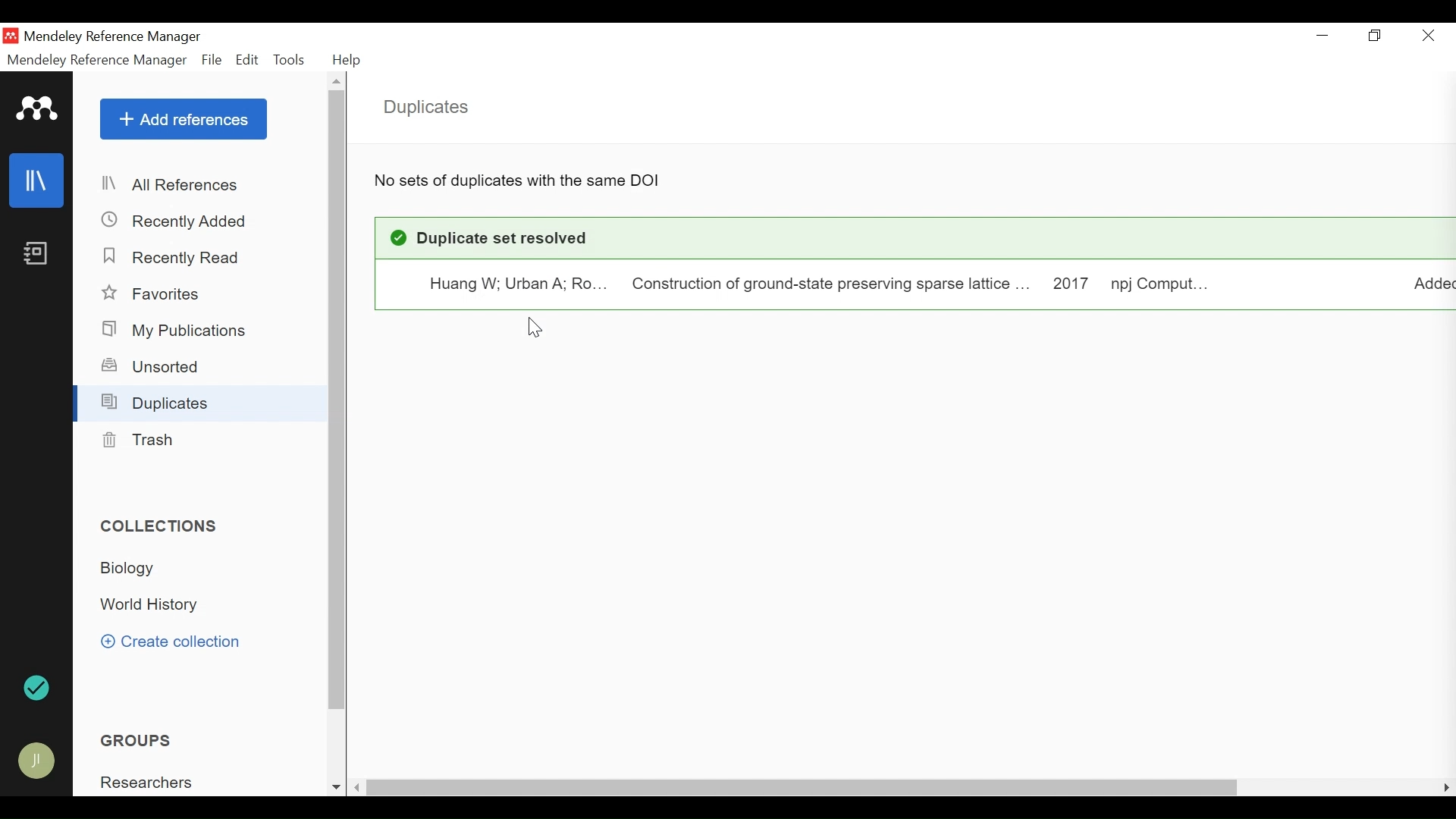 This screenshot has width=1456, height=819. I want to click on Journal: Computational, so click(1161, 287).